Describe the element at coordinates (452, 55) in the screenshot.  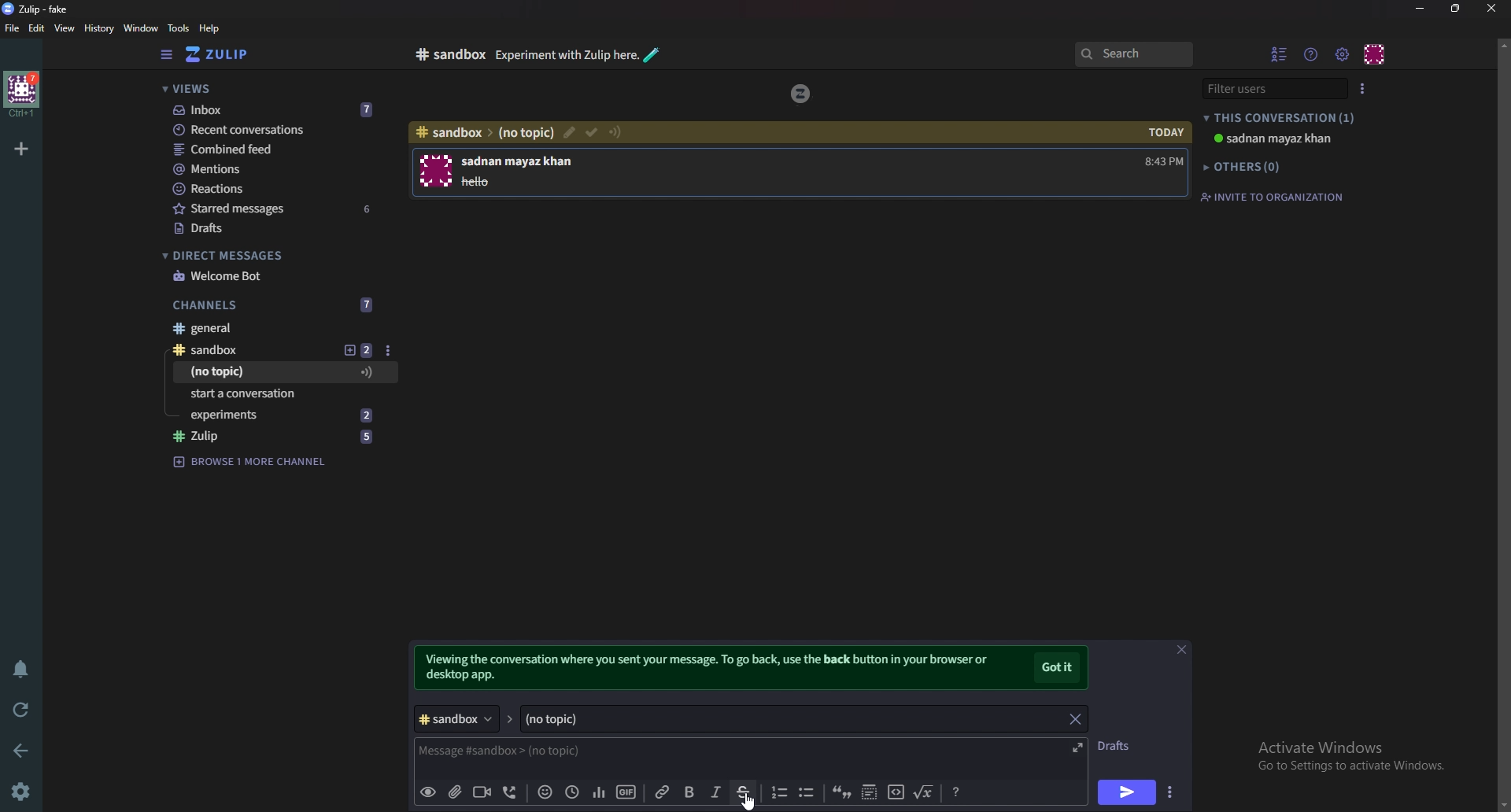
I see `# sandbox` at that location.